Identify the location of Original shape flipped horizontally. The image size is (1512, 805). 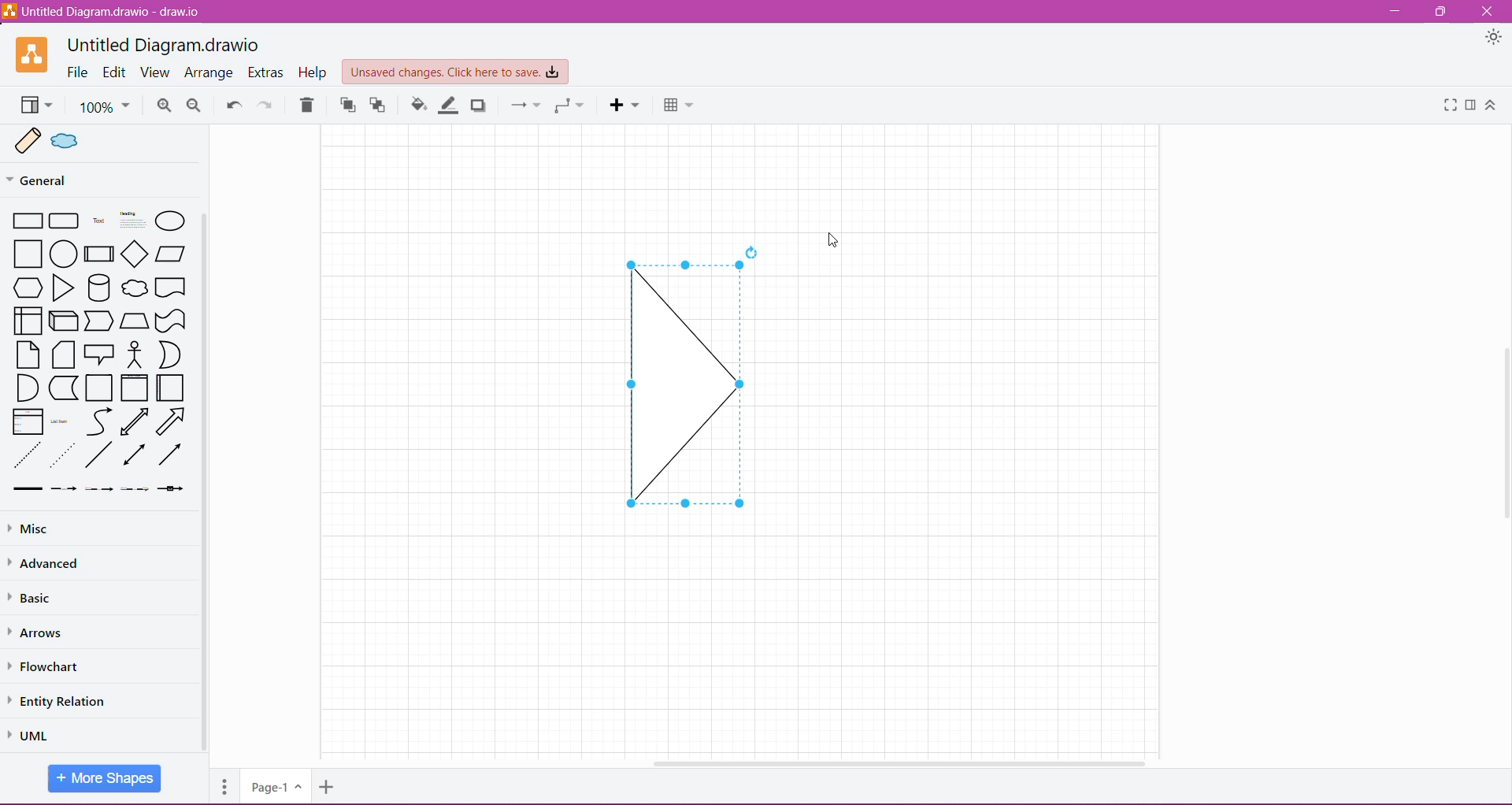
(688, 382).